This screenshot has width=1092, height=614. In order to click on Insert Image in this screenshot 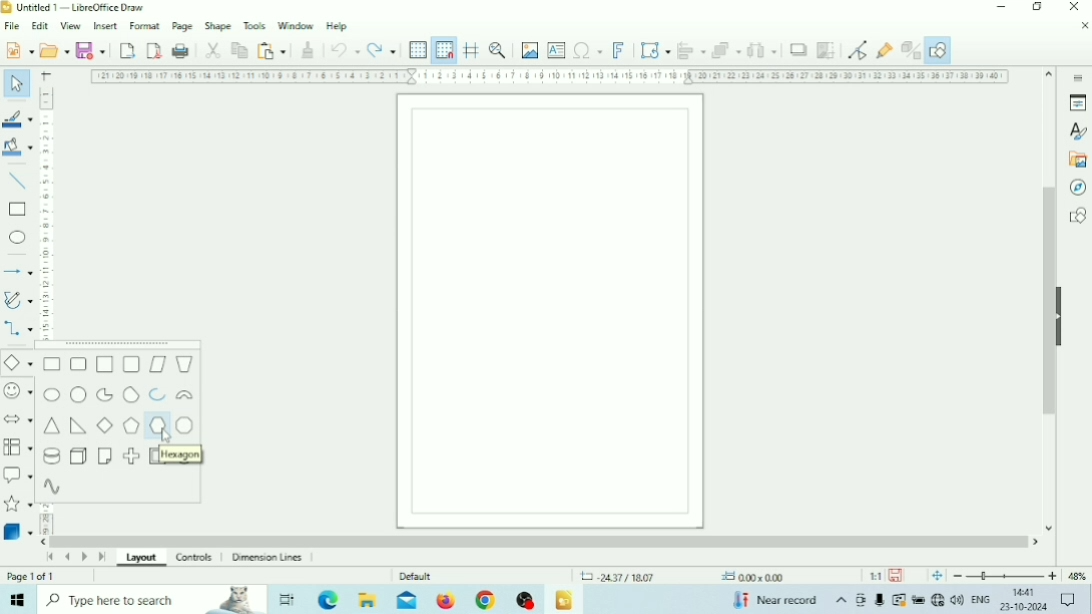, I will do `click(530, 50)`.